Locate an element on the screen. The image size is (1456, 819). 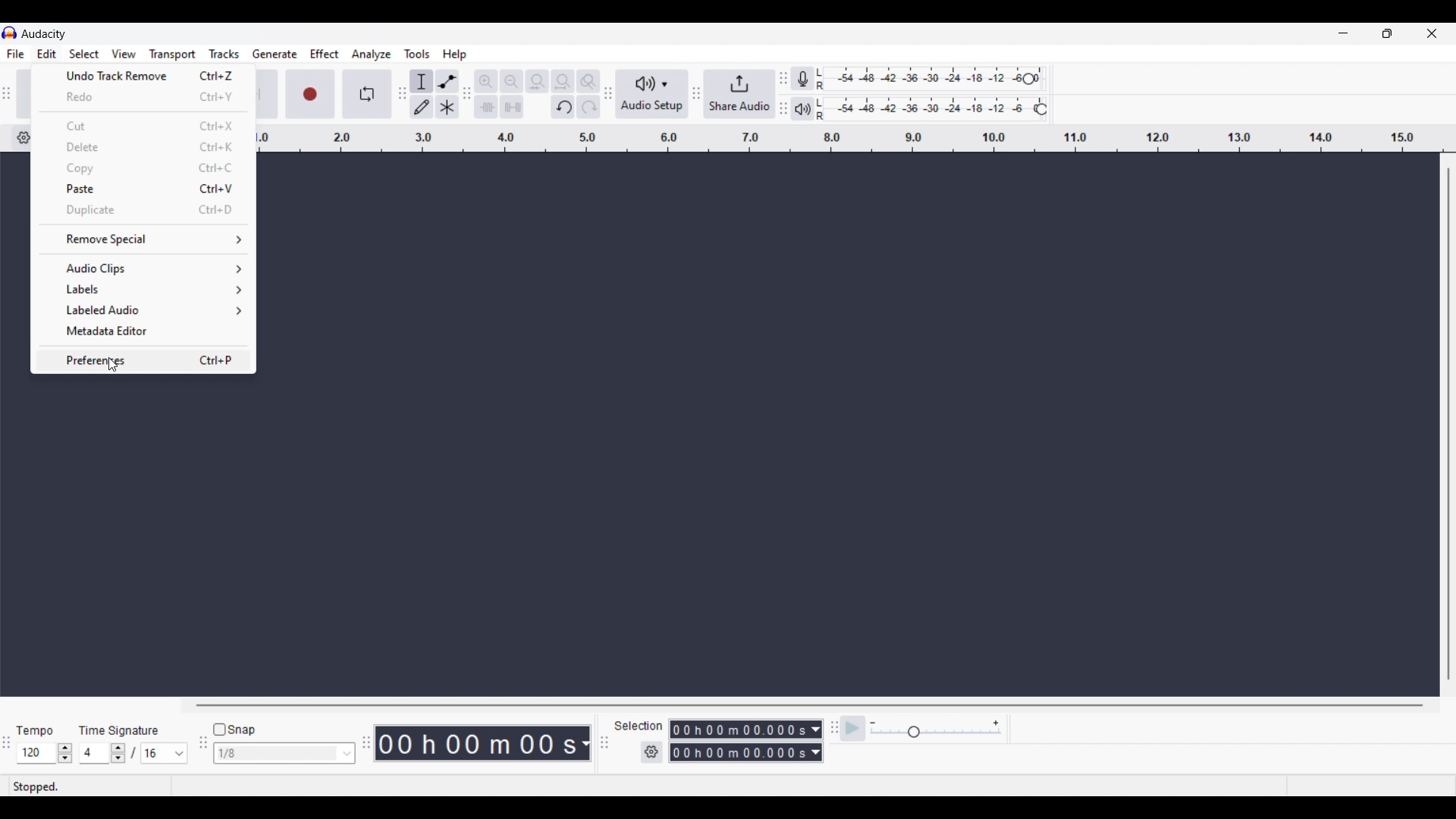
View menu is located at coordinates (124, 54).